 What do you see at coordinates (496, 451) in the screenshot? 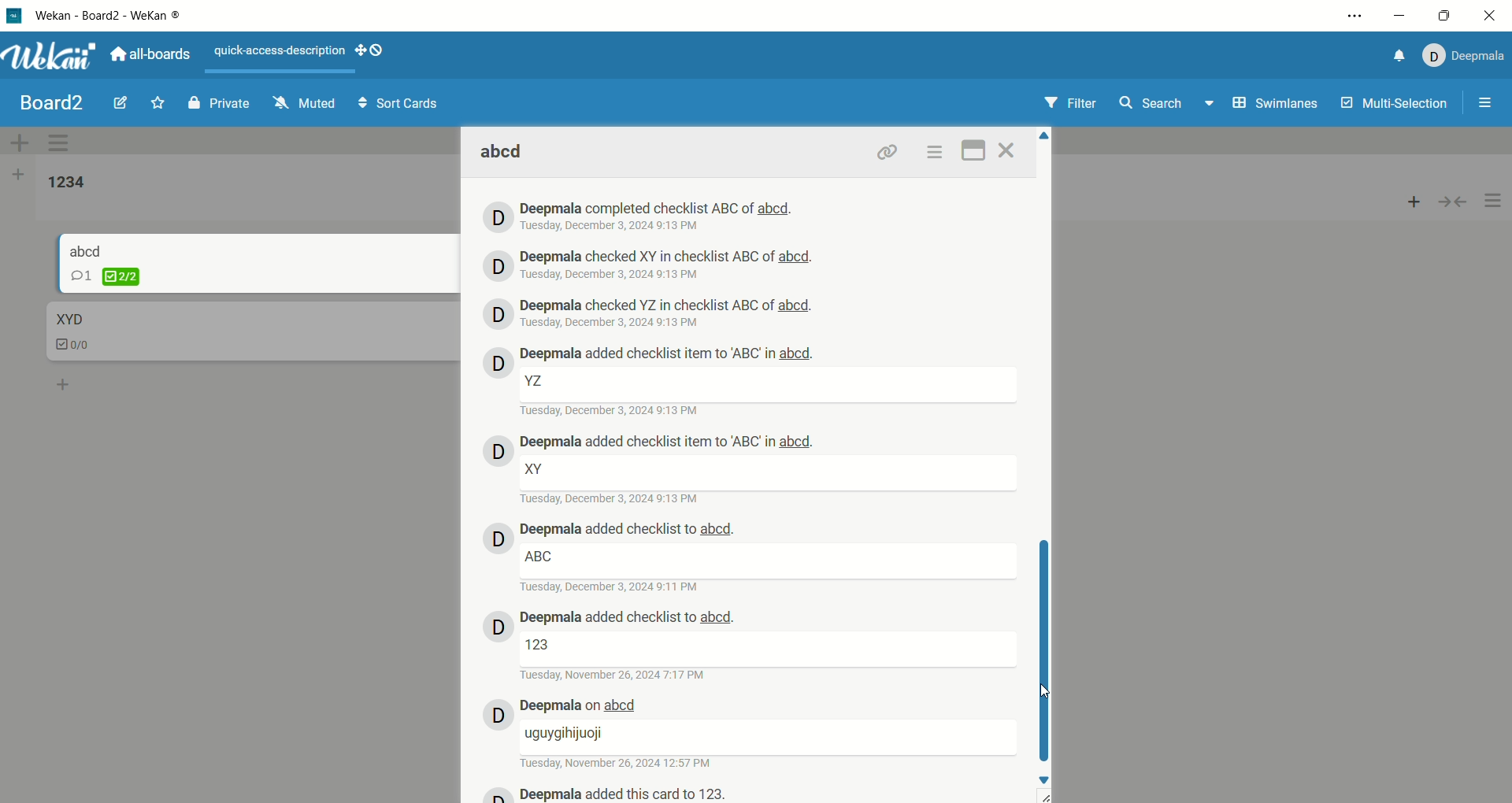
I see `avatar` at bounding box center [496, 451].